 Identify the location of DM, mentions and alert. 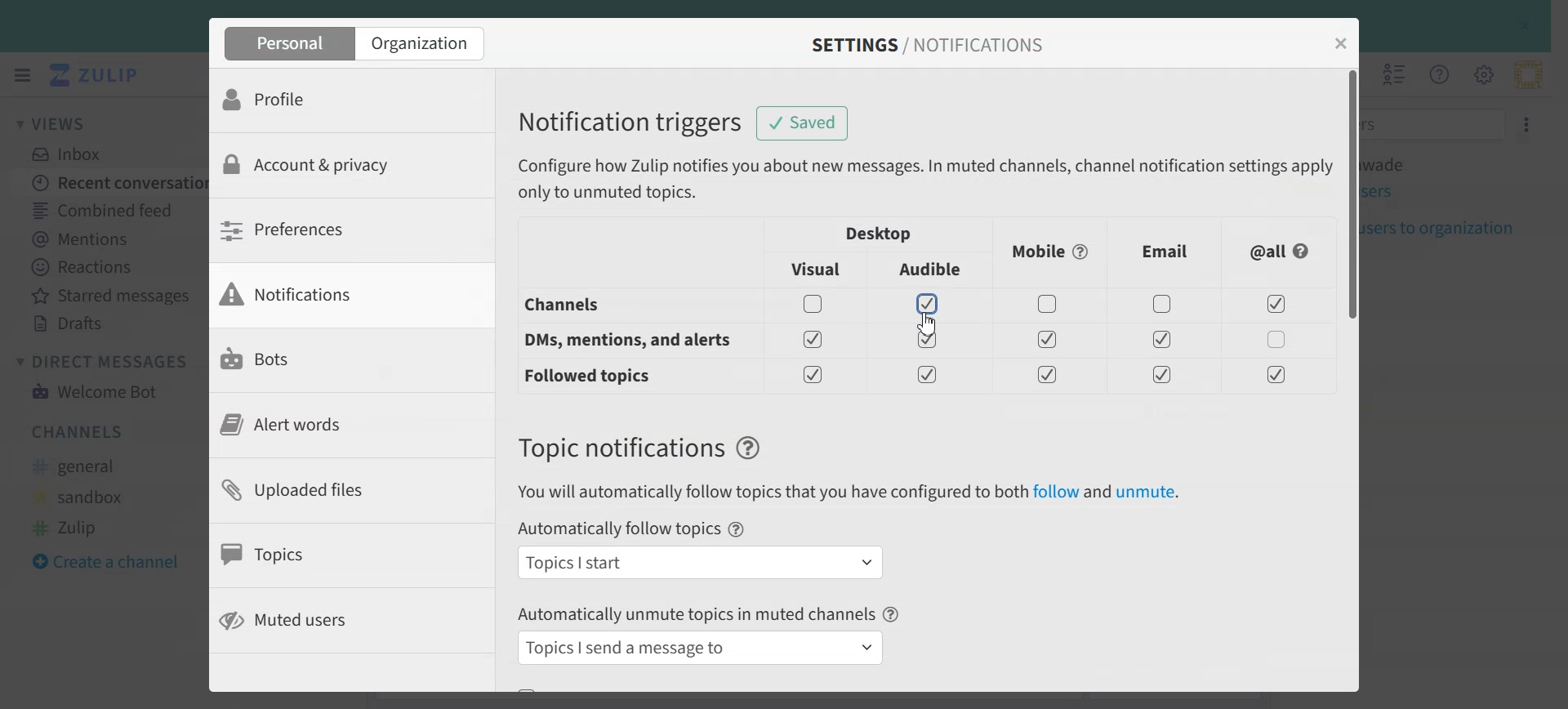
(624, 341).